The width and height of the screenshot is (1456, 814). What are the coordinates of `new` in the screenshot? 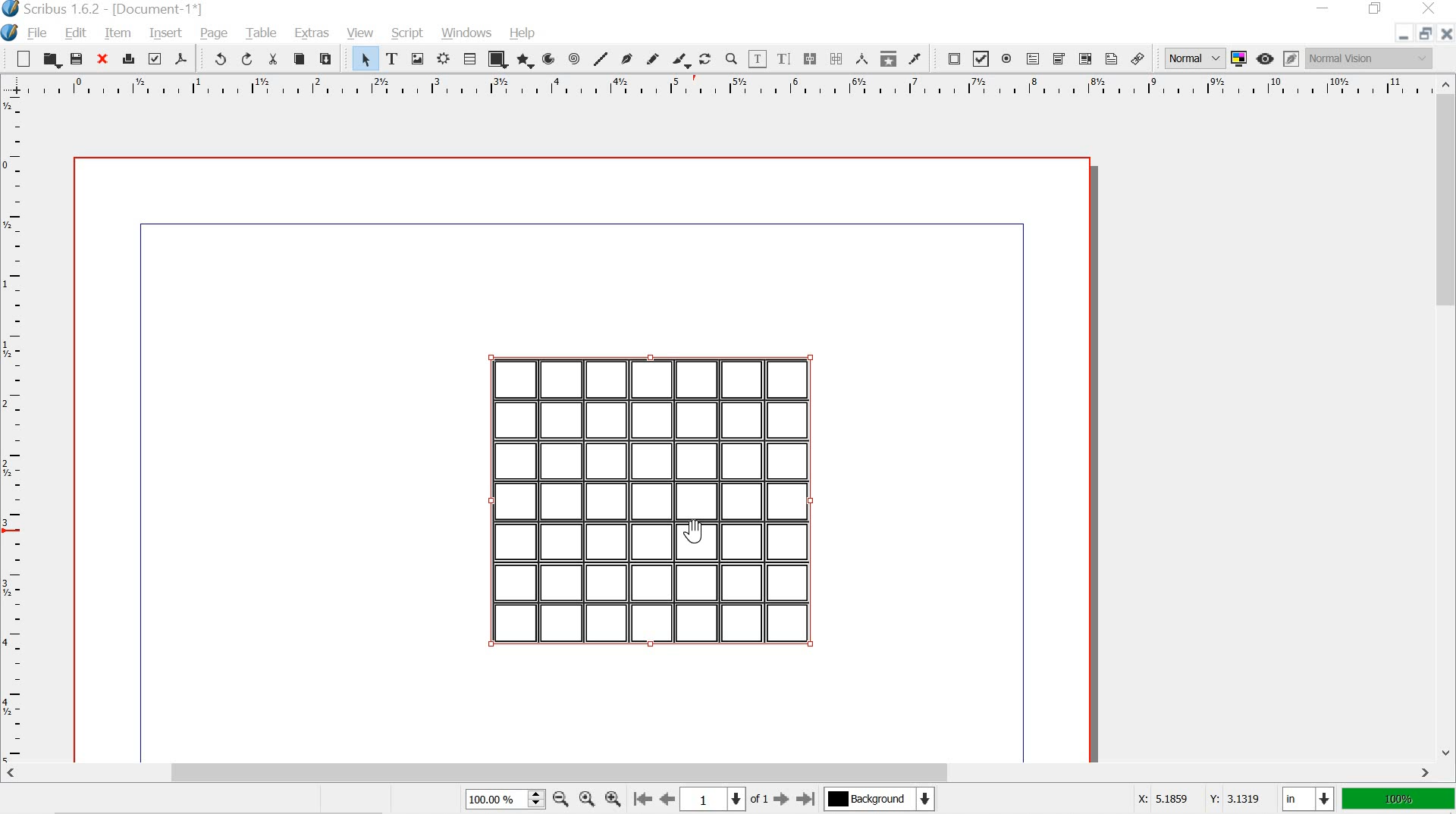 It's located at (22, 58).